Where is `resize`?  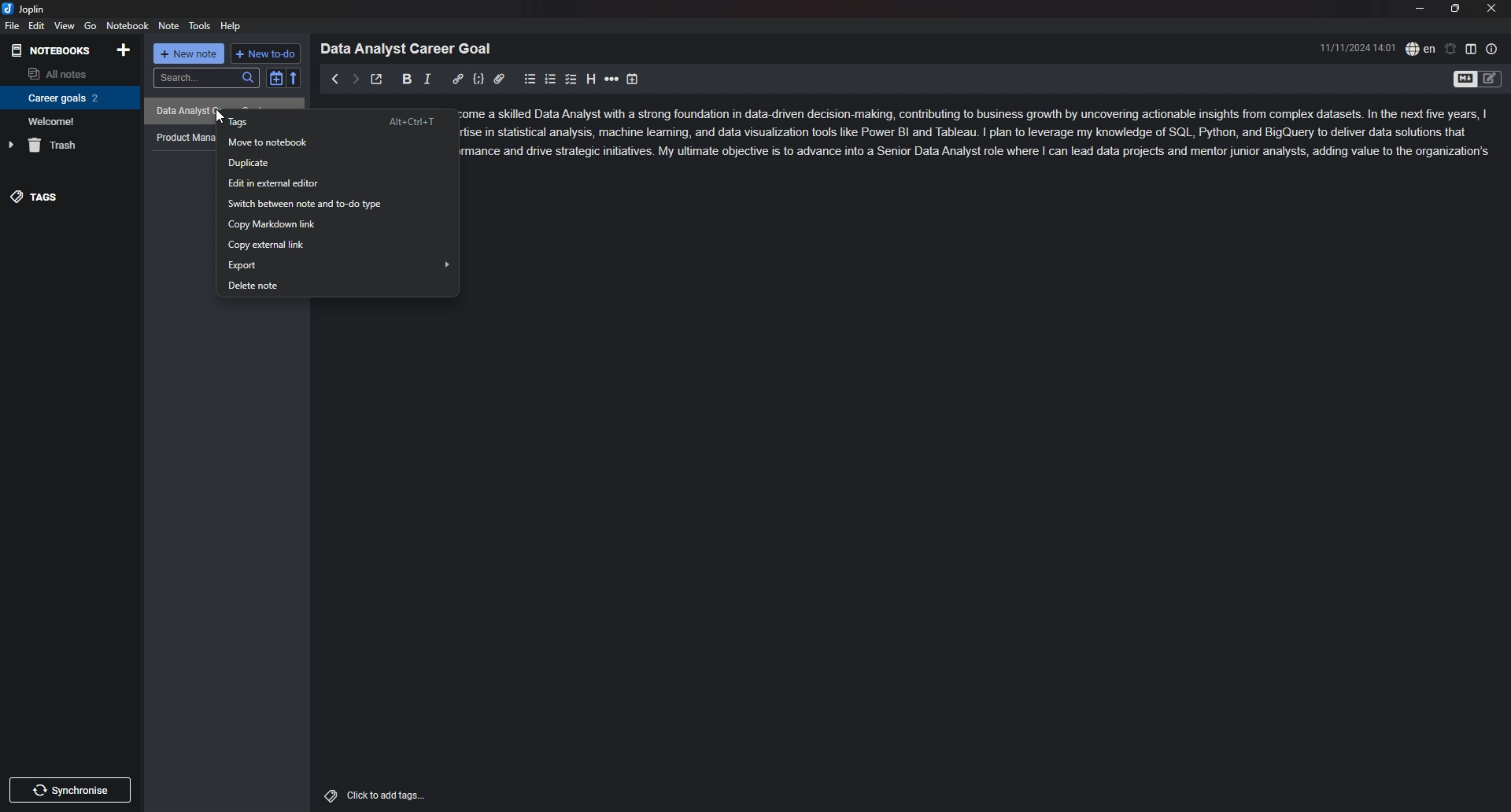 resize is located at coordinates (1456, 8).